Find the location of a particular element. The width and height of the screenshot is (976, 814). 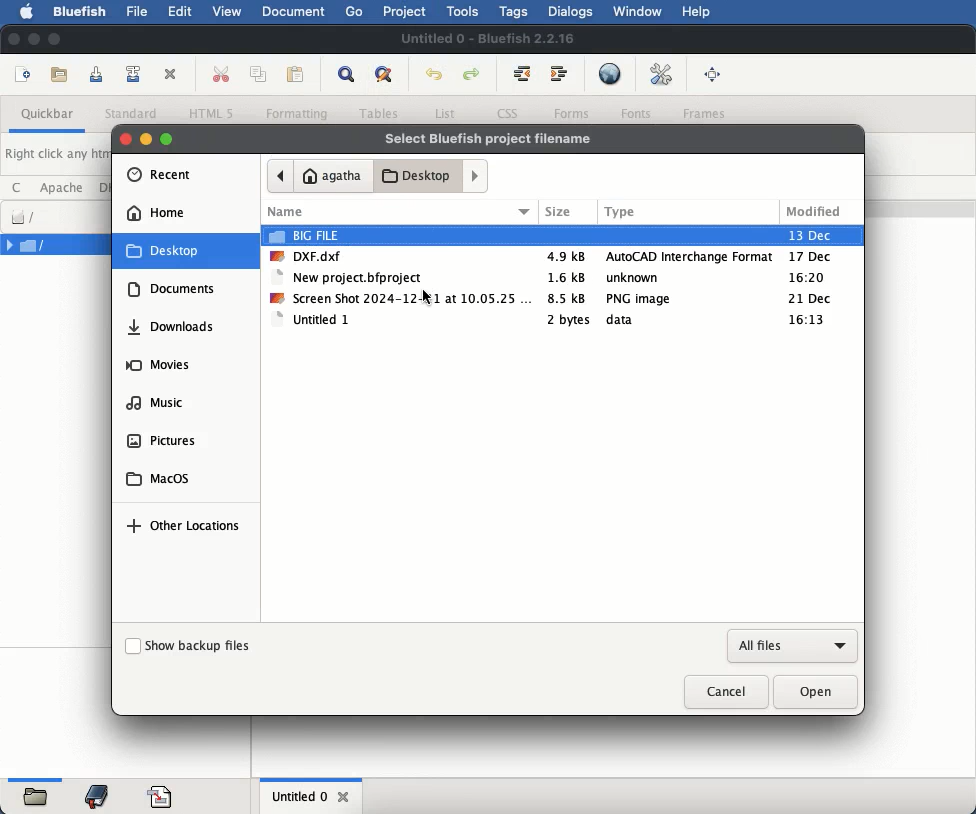

1.6 kB is located at coordinates (567, 277).